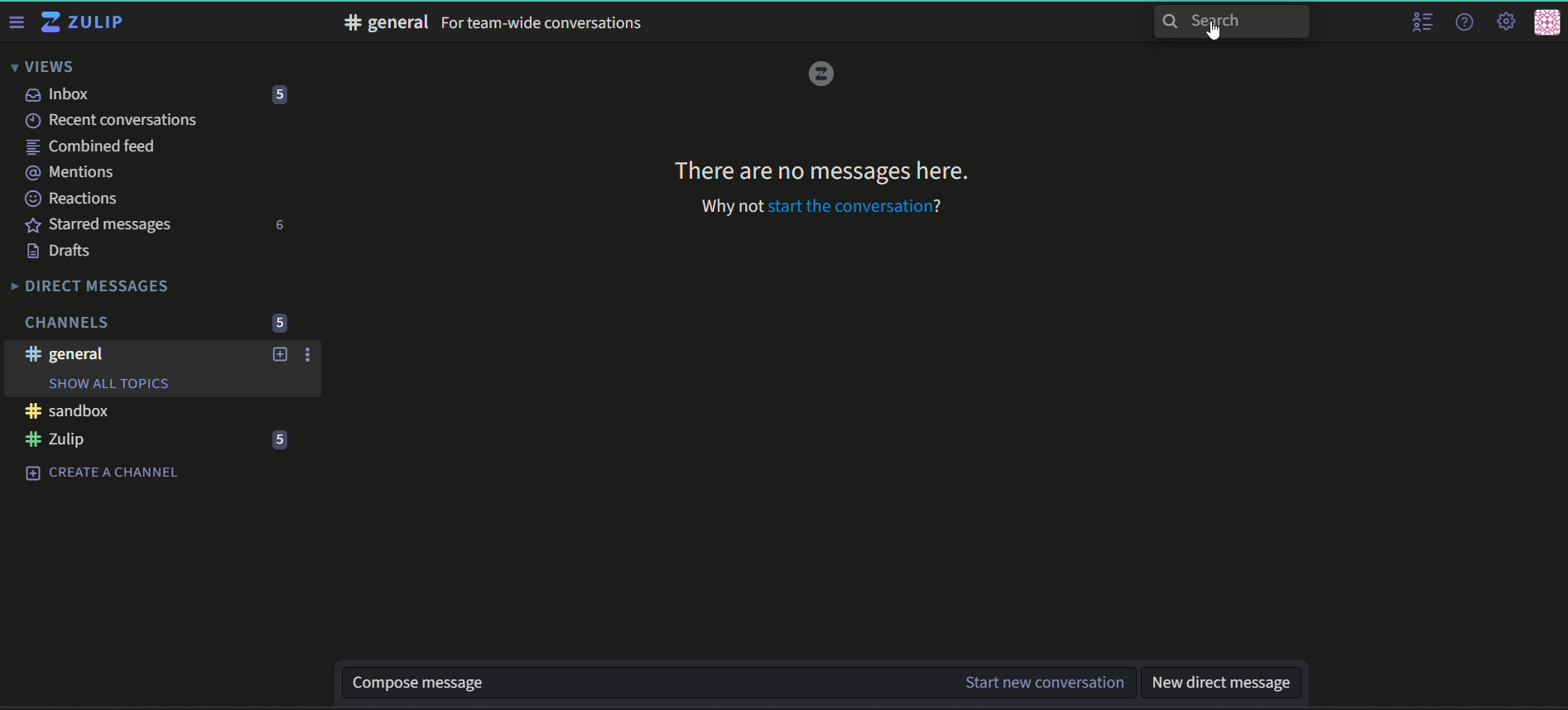 This screenshot has width=1568, height=710. I want to click on Show all topics, so click(112, 383).